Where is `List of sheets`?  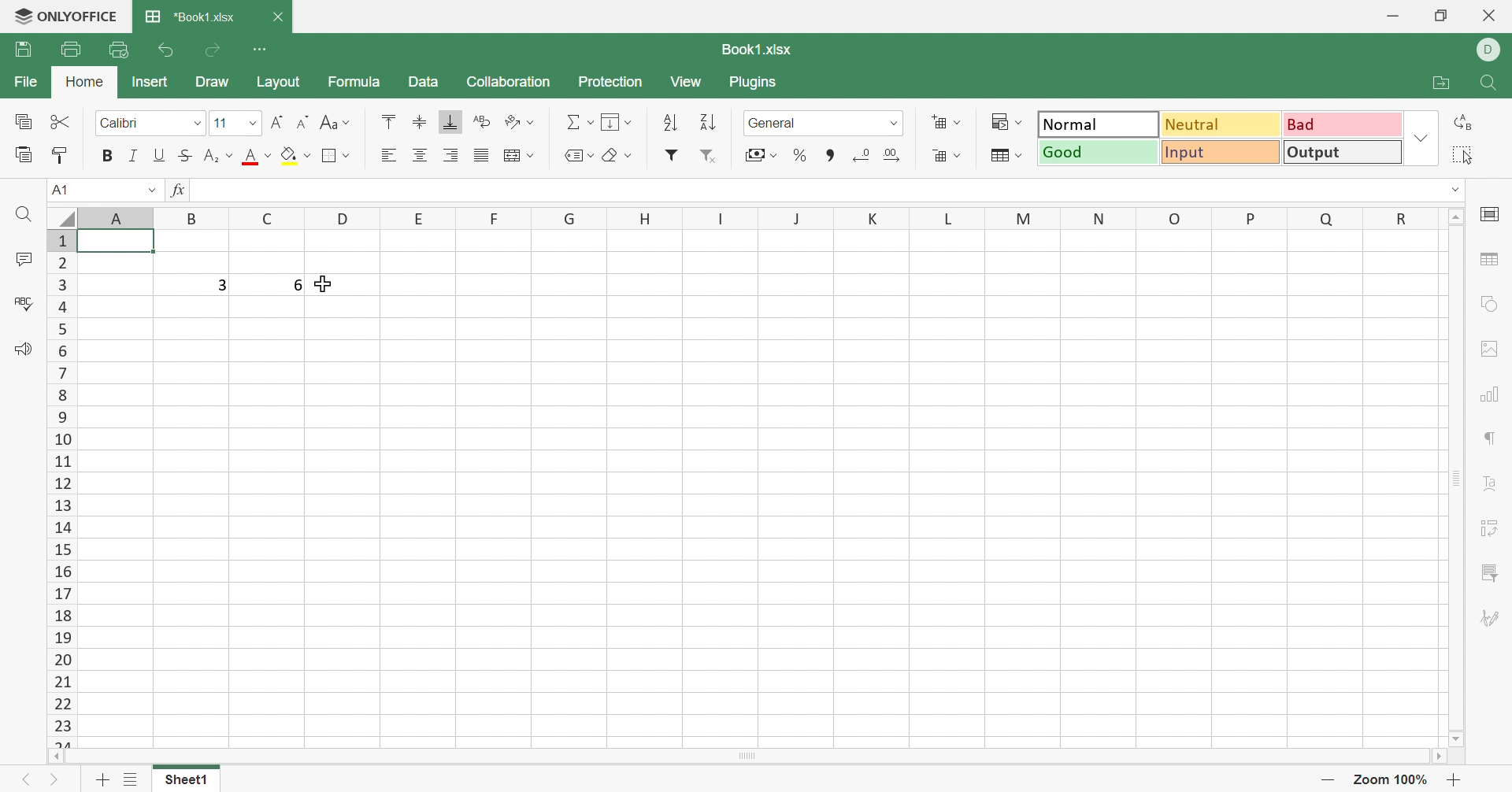 List of sheets is located at coordinates (131, 779).